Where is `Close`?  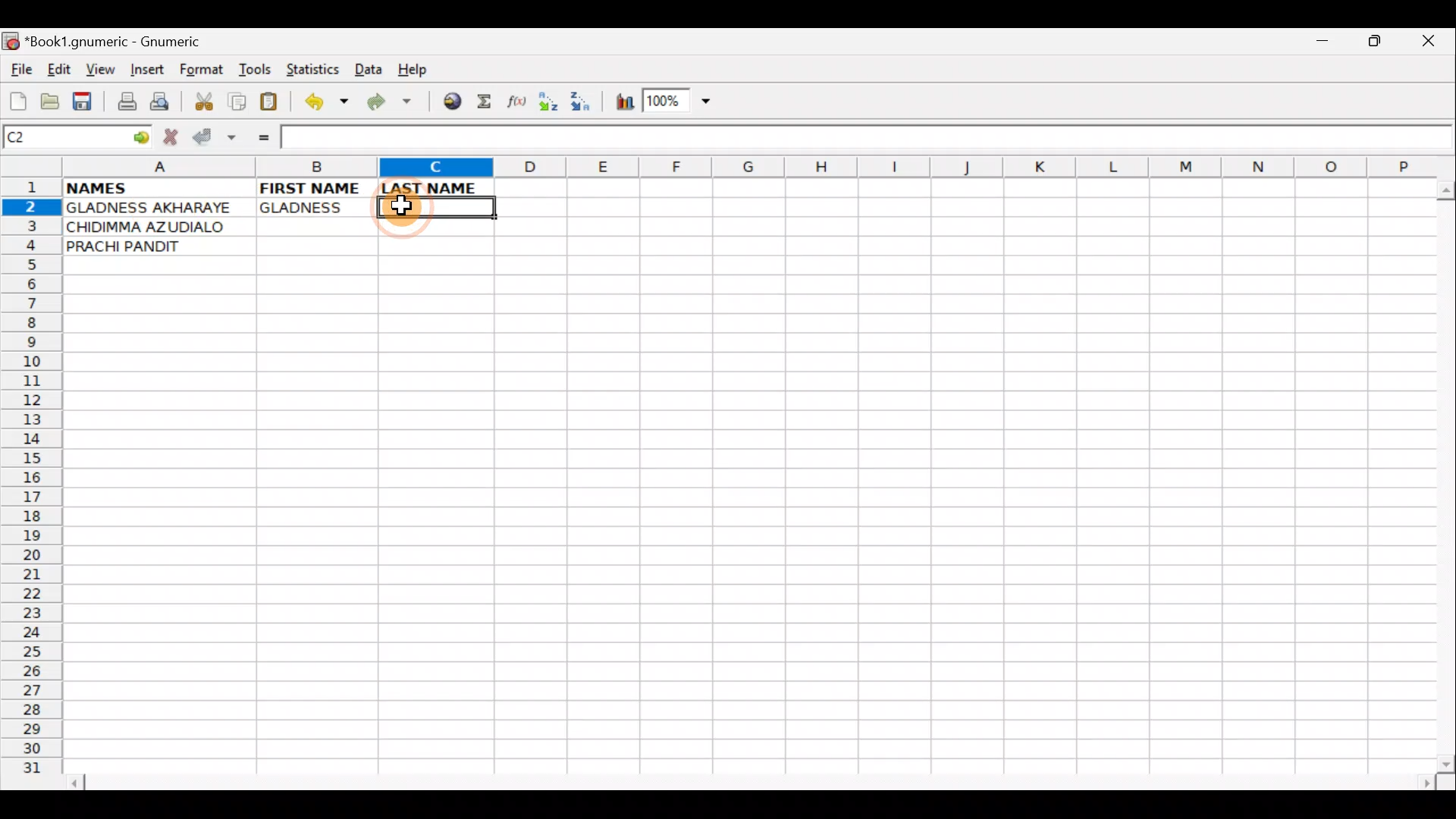
Close is located at coordinates (1432, 45).